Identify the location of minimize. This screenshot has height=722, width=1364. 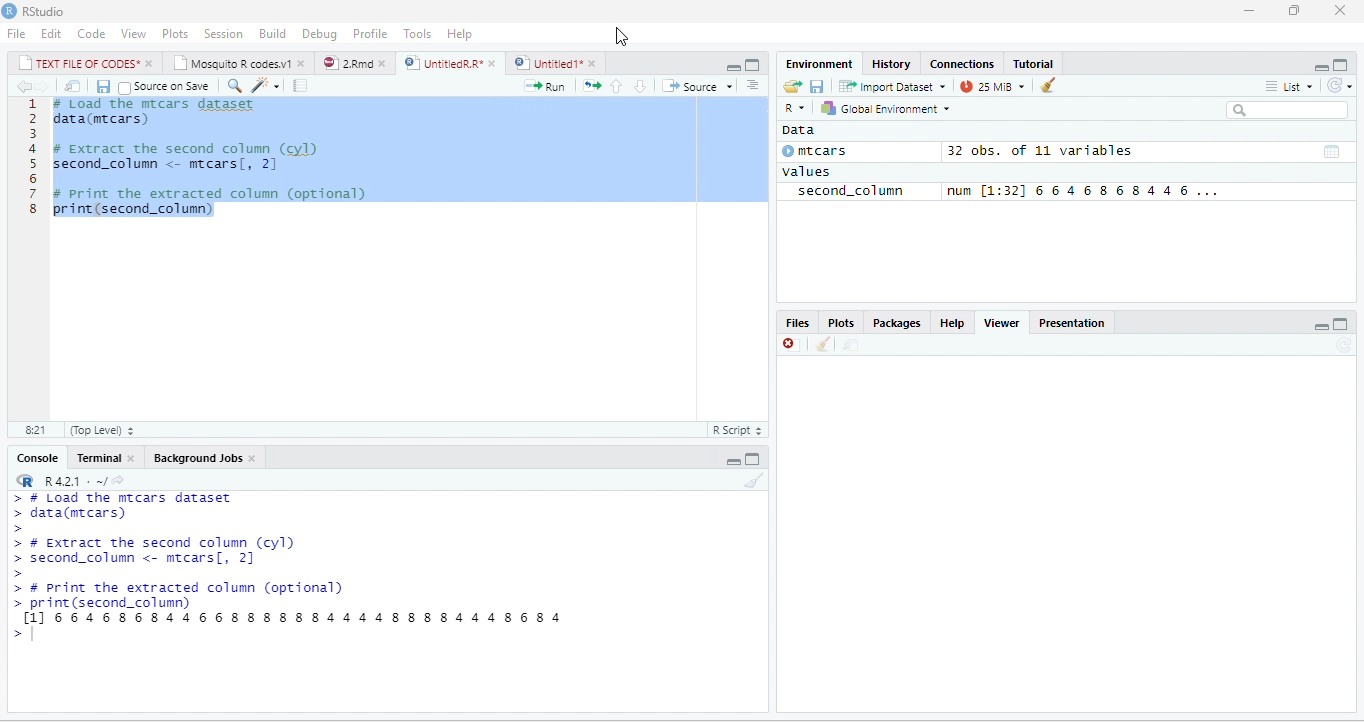
(1250, 13).